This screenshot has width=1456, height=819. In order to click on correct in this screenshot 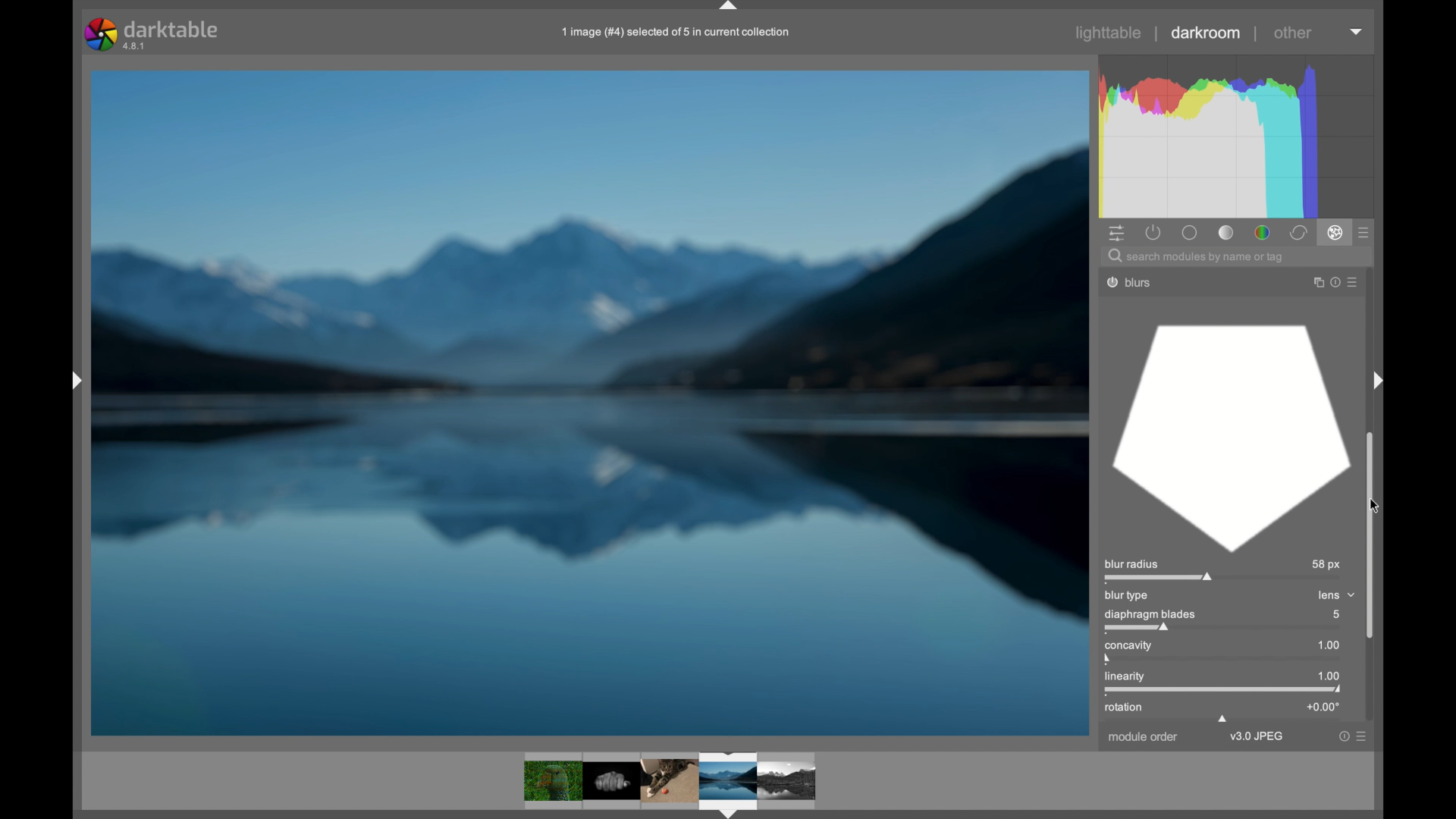, I will do `click(1298, 233)`.